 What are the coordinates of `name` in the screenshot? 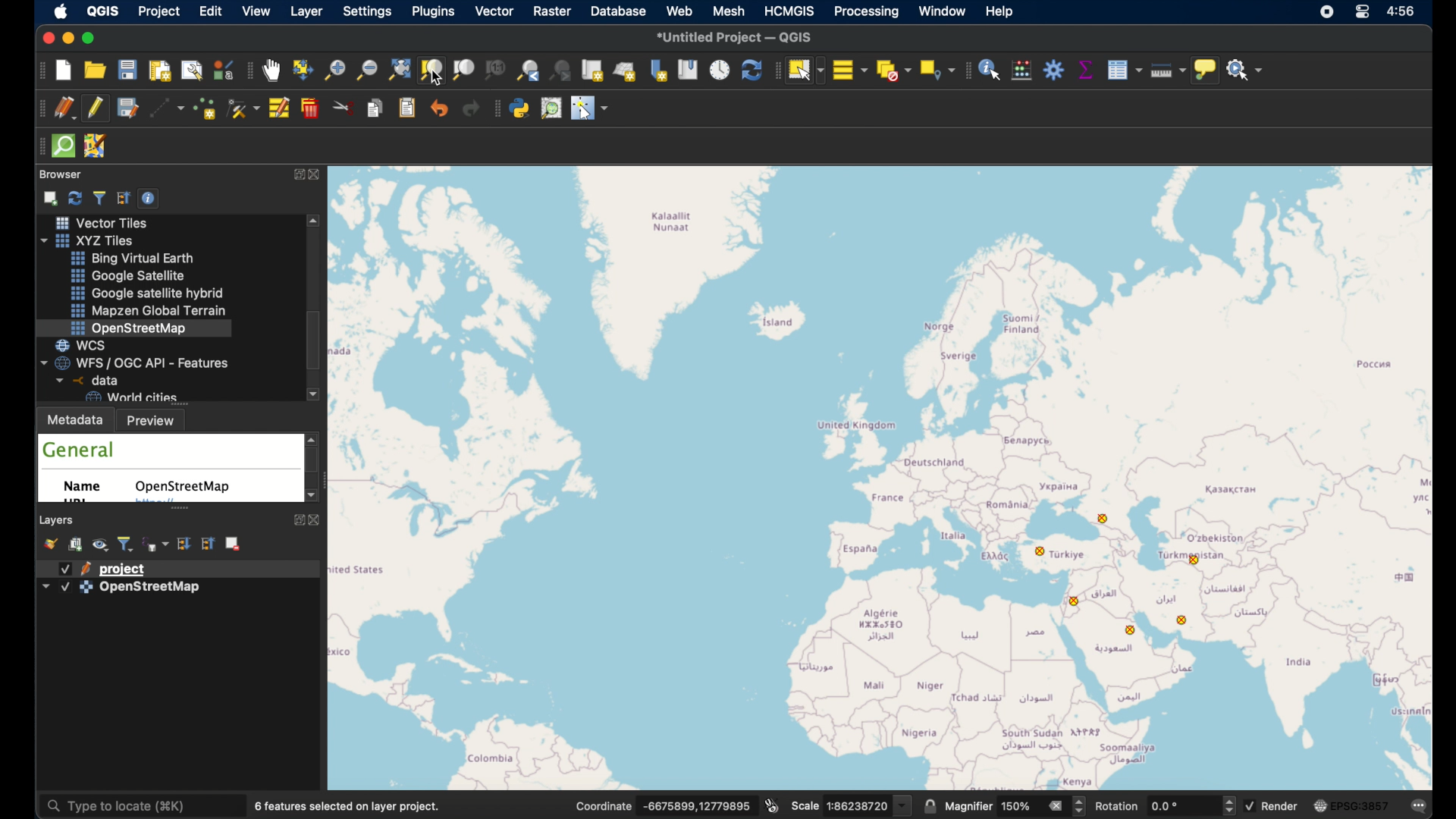 It's located at (87, 489).